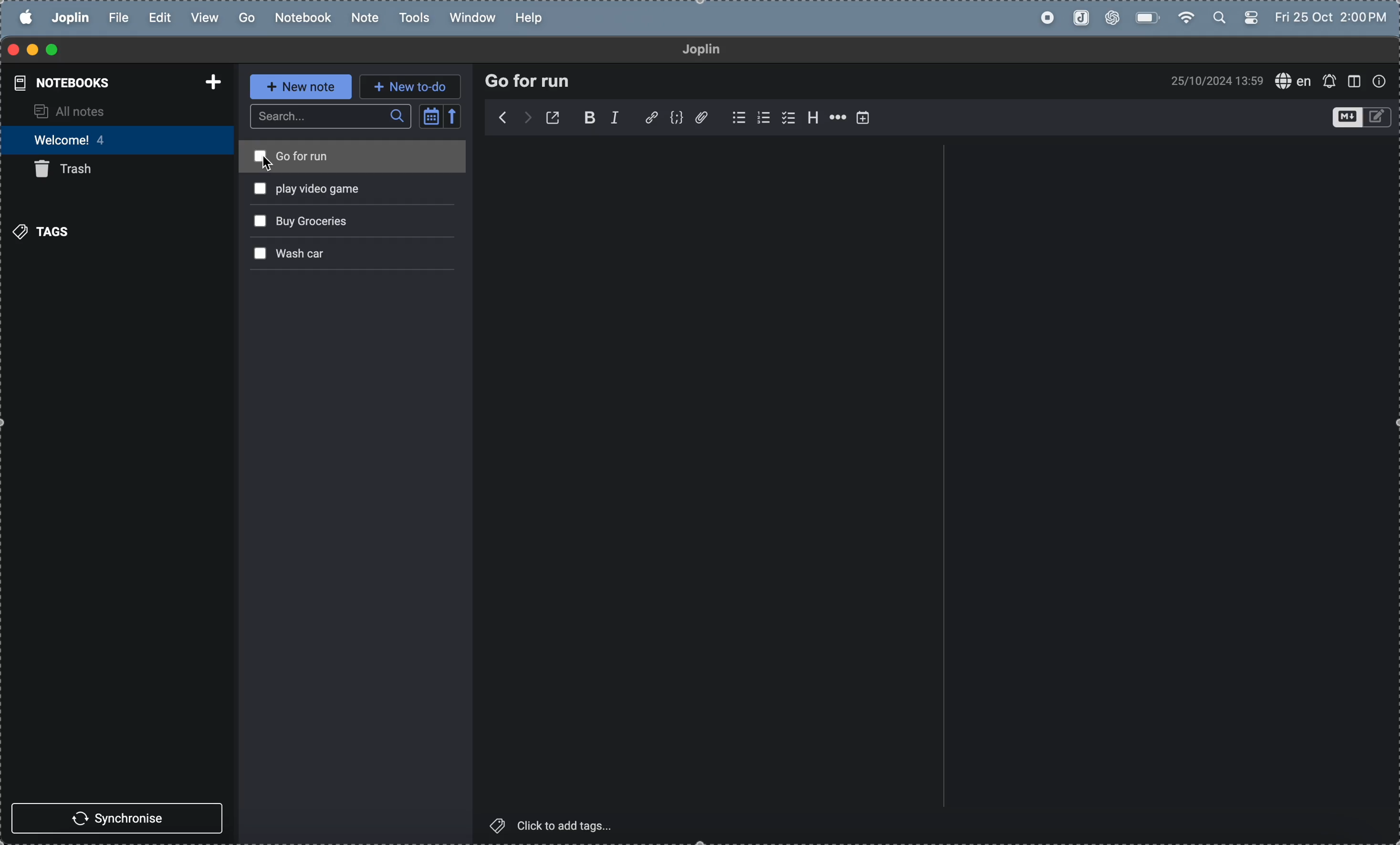  Describe the element at coordinates (1381, 81) in the screenshot. I see `info` at that location.